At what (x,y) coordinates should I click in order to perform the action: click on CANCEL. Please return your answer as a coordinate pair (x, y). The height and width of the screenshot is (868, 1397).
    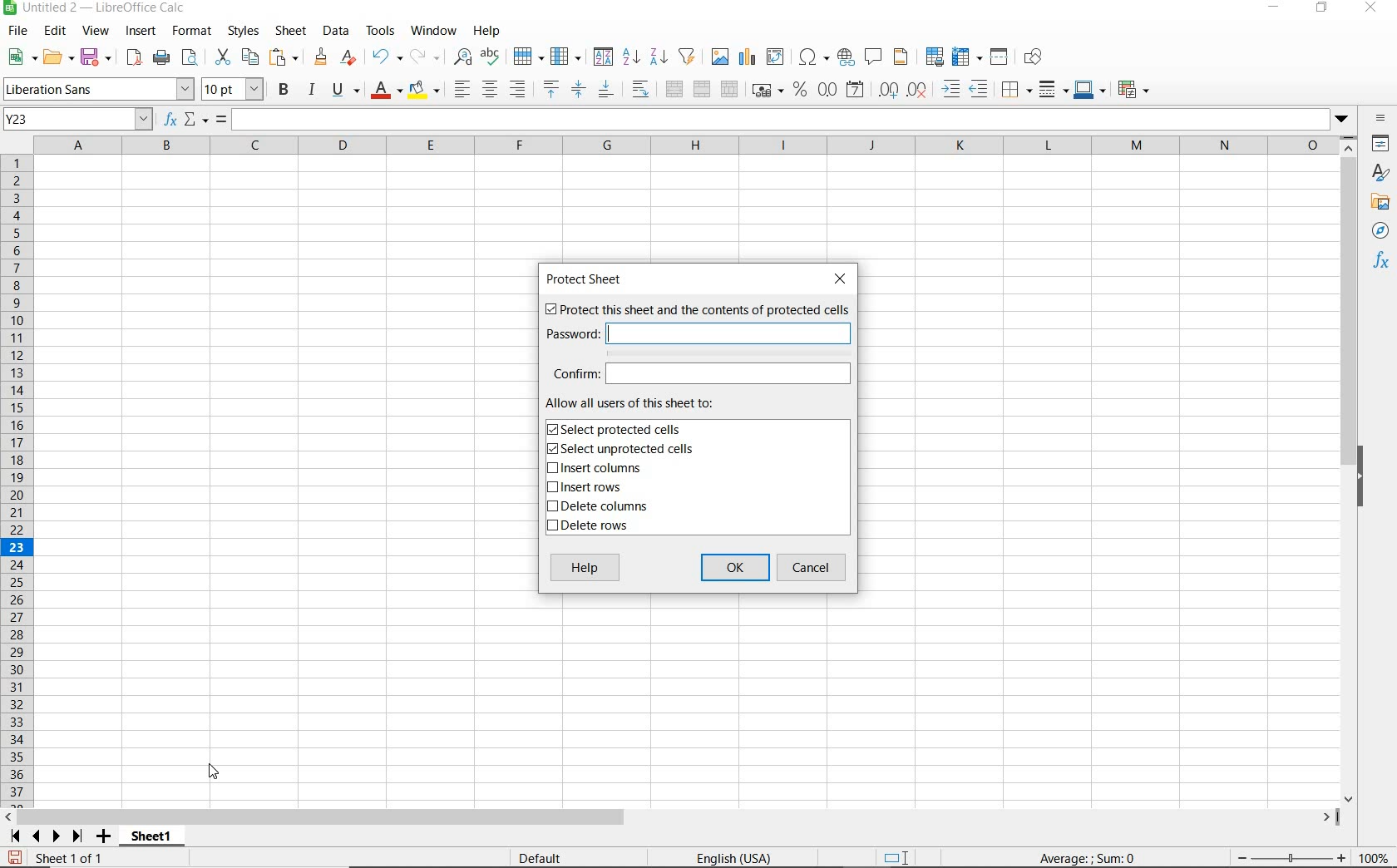
    Looking at the image, I should click on (814, 568).